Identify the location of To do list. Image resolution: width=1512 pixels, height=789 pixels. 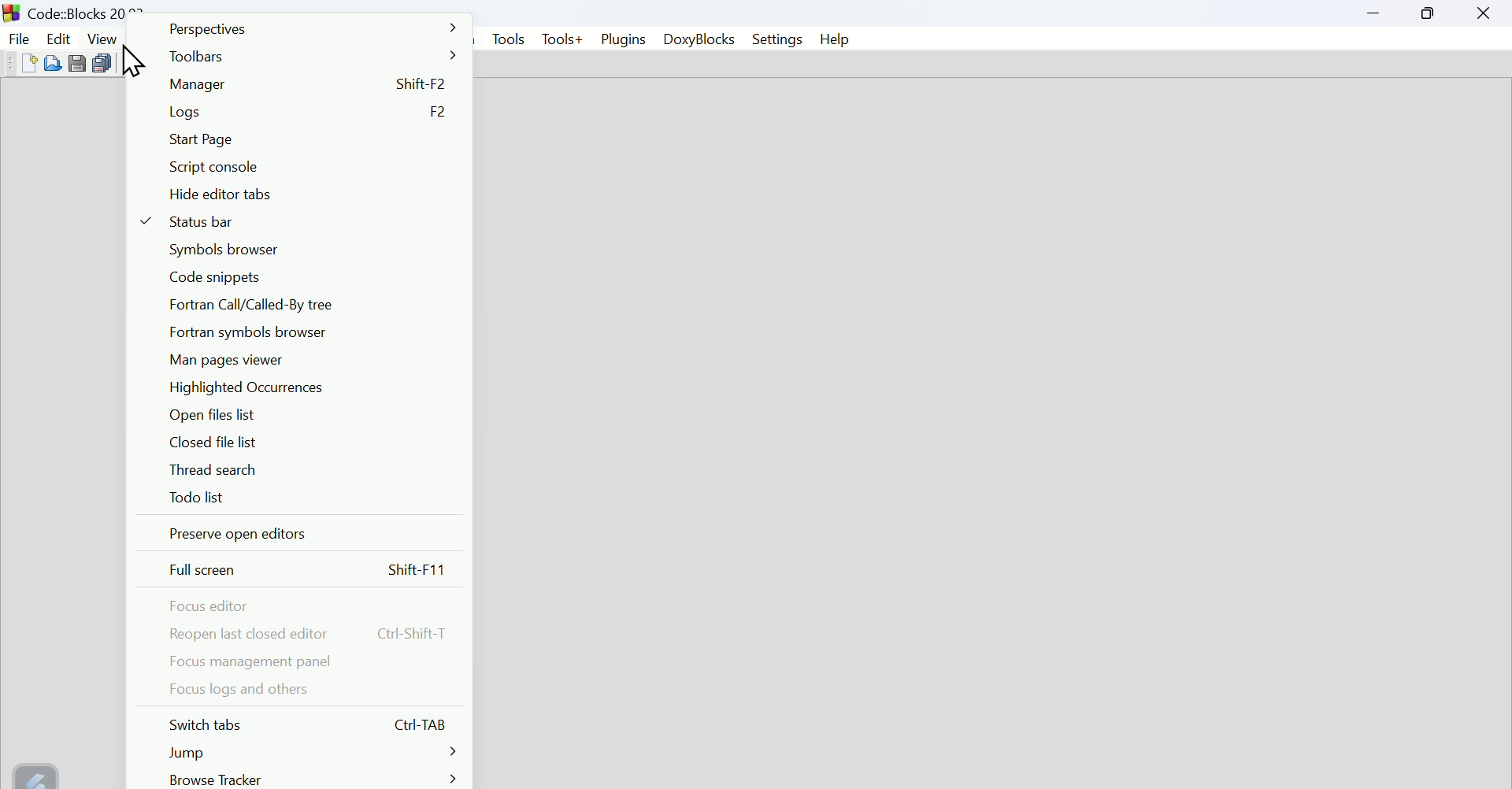
(198, 499).